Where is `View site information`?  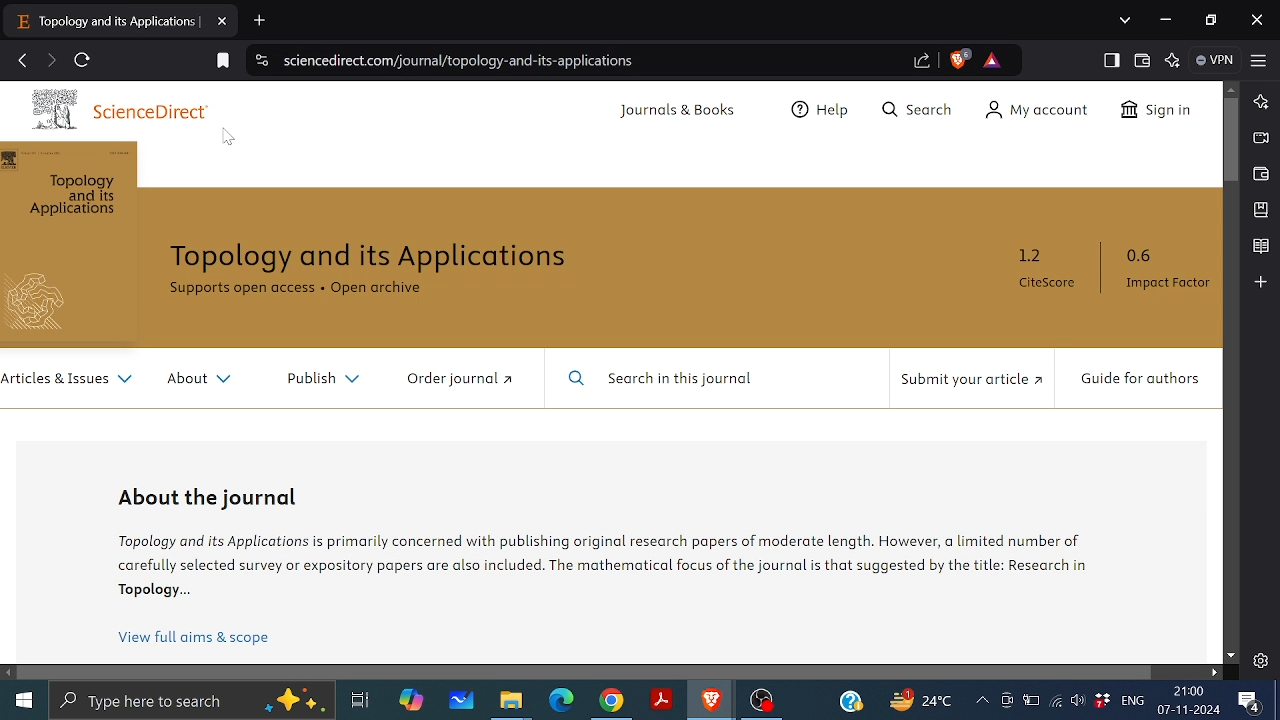
View site information is located at coordinates (259, 62).